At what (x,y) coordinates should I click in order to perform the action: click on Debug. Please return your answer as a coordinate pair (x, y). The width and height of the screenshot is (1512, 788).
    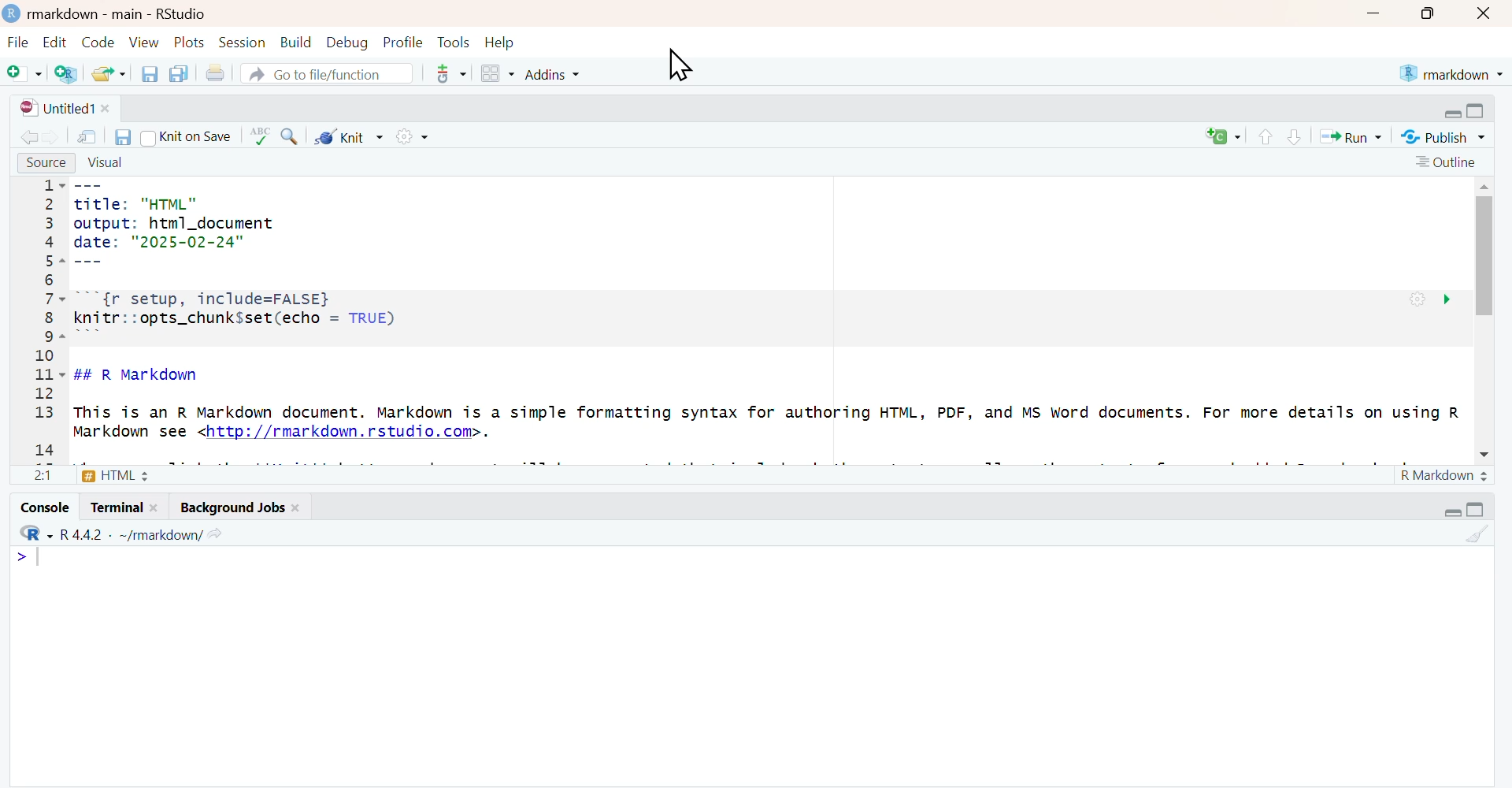
    Looking at the image, I should click on (346, 43).